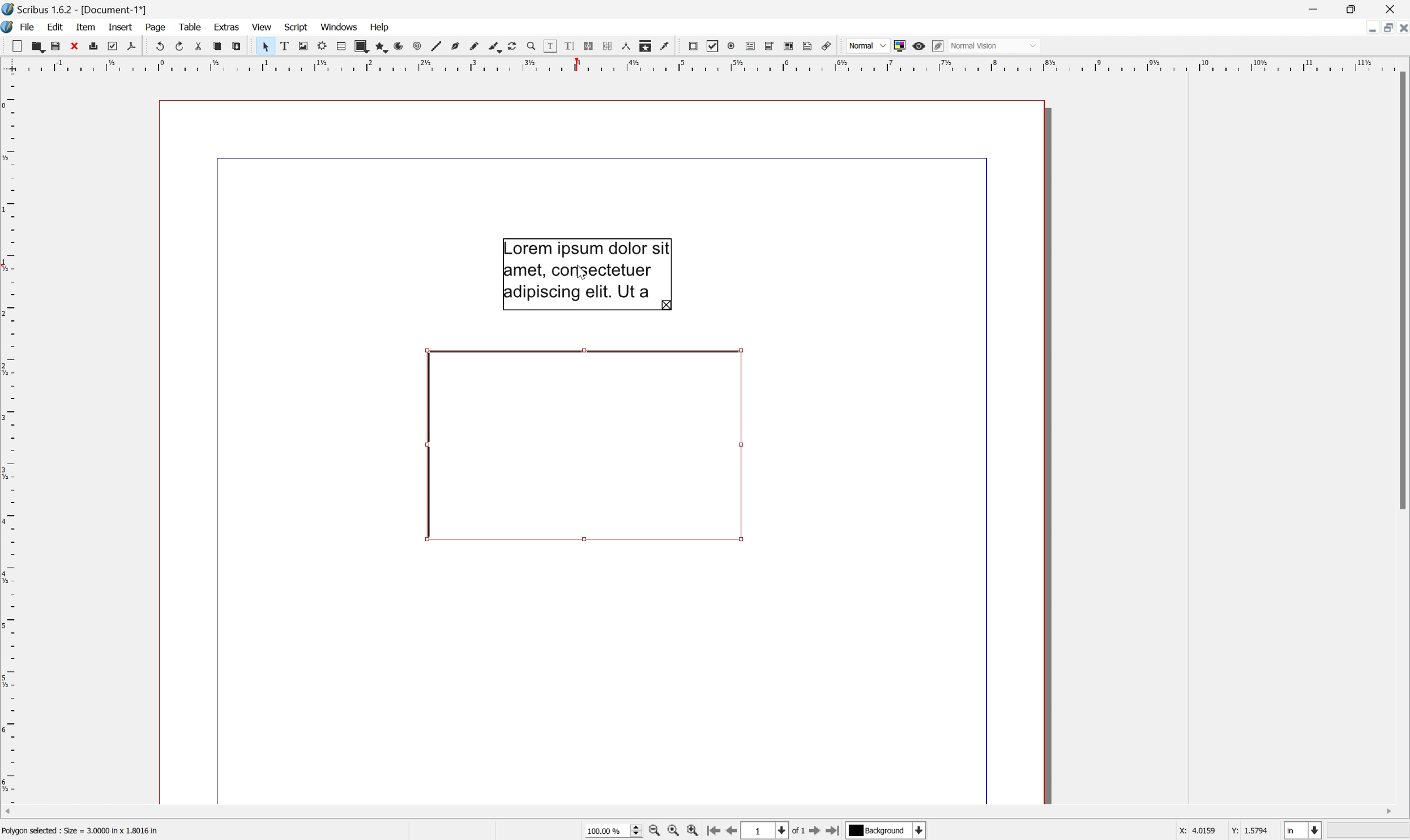 The width and height of the screenshot is (1410, 840). What do you see at coordinates (646, 46) in the screenshot?
I see `Copy item properties` at bounding box center [646, 46].